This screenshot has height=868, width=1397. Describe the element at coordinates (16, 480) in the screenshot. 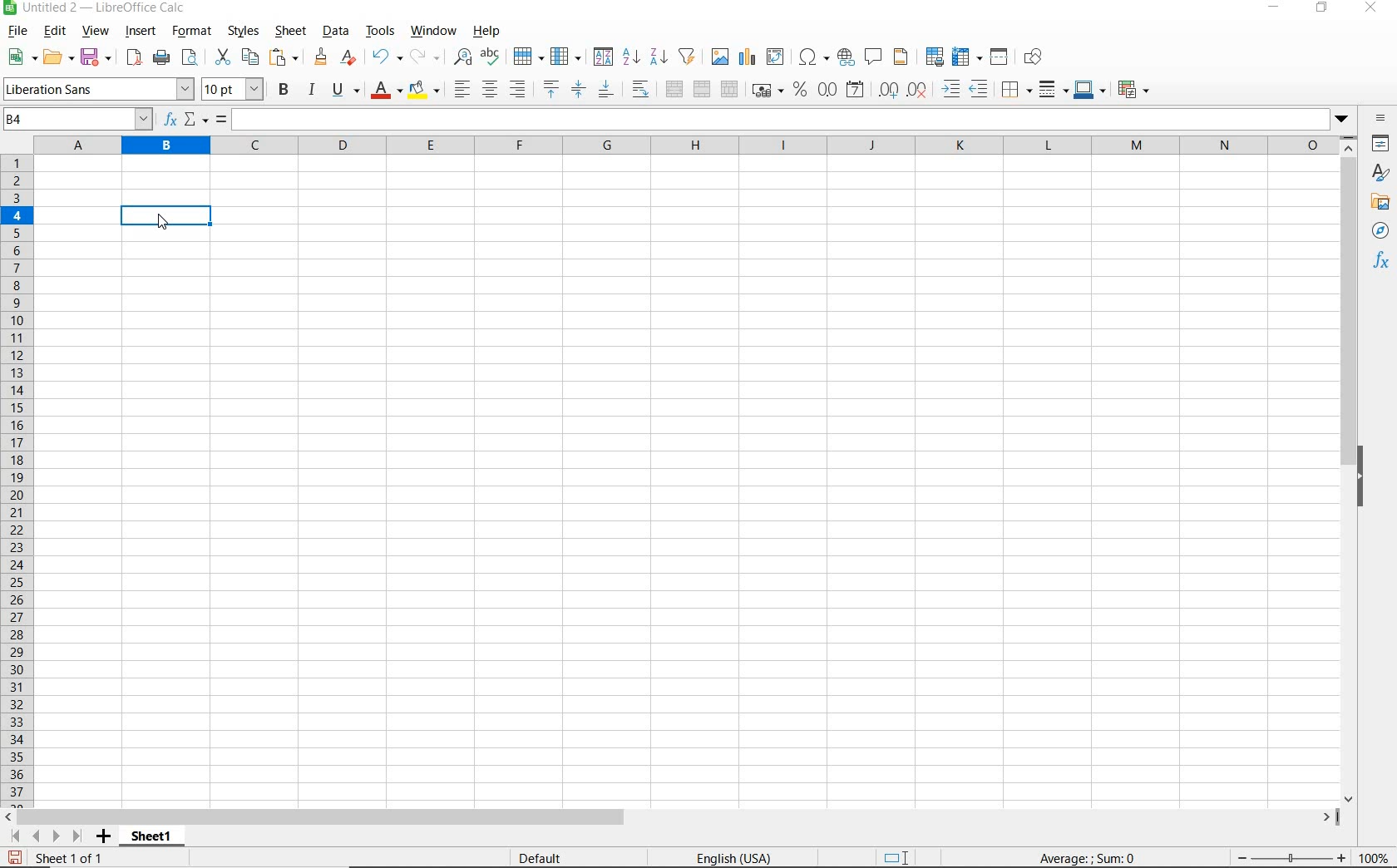

I see `rows` at that location.